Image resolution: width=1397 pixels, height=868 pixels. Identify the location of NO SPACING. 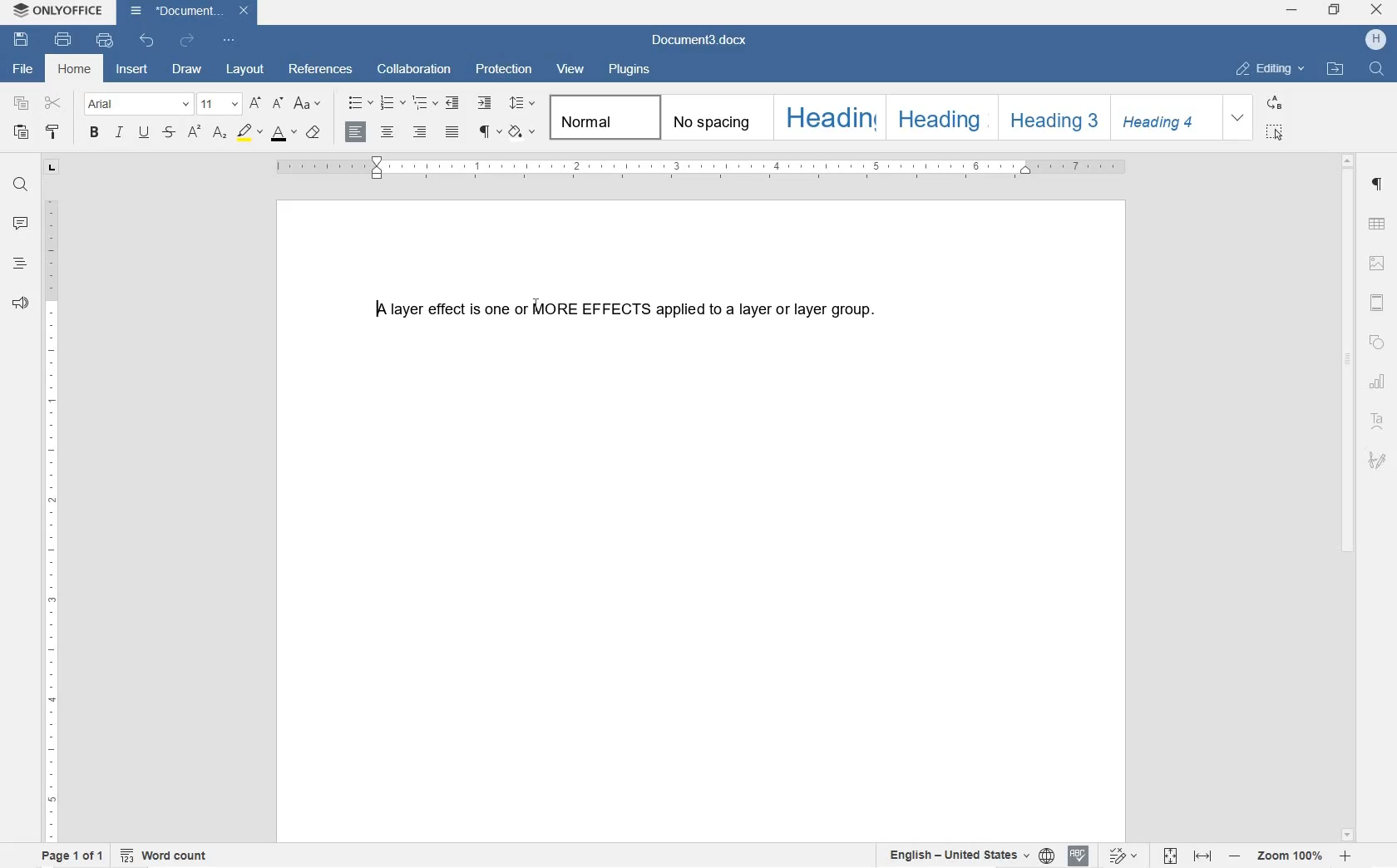
(712, 117).